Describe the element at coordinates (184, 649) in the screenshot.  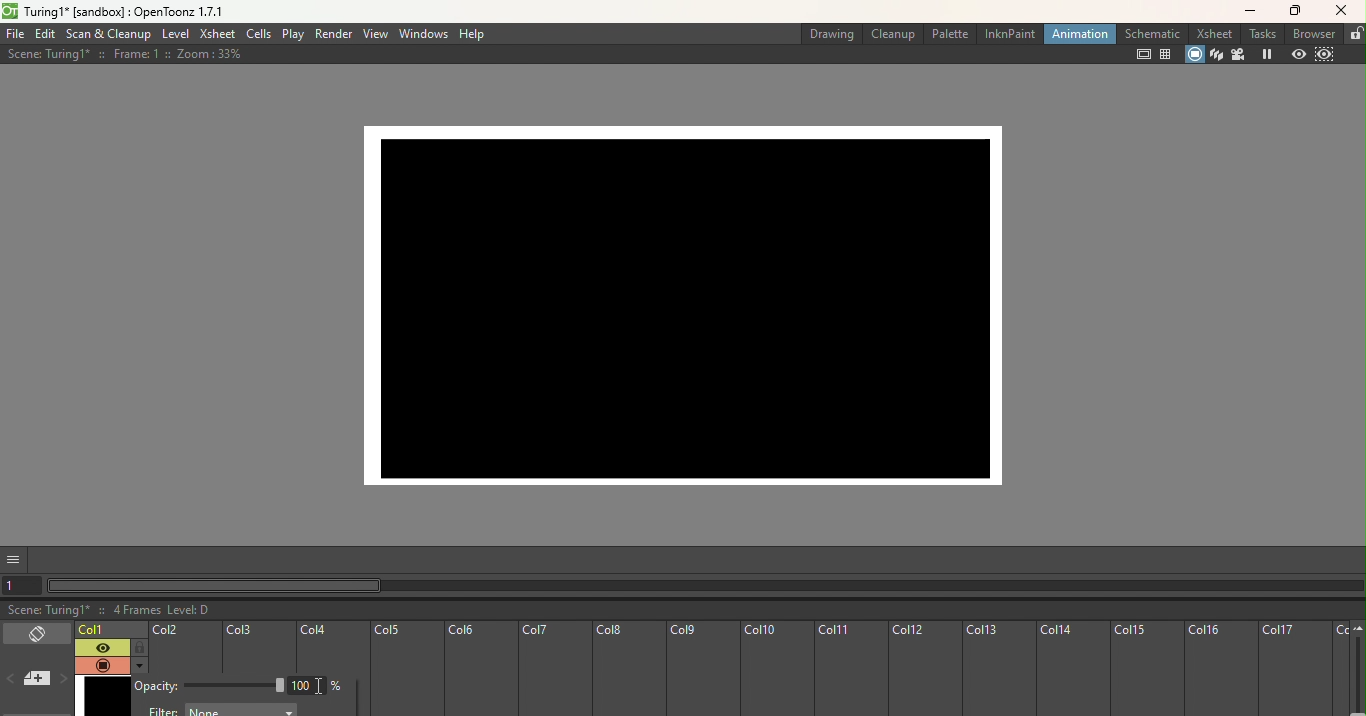
I see `Col2` at that location.